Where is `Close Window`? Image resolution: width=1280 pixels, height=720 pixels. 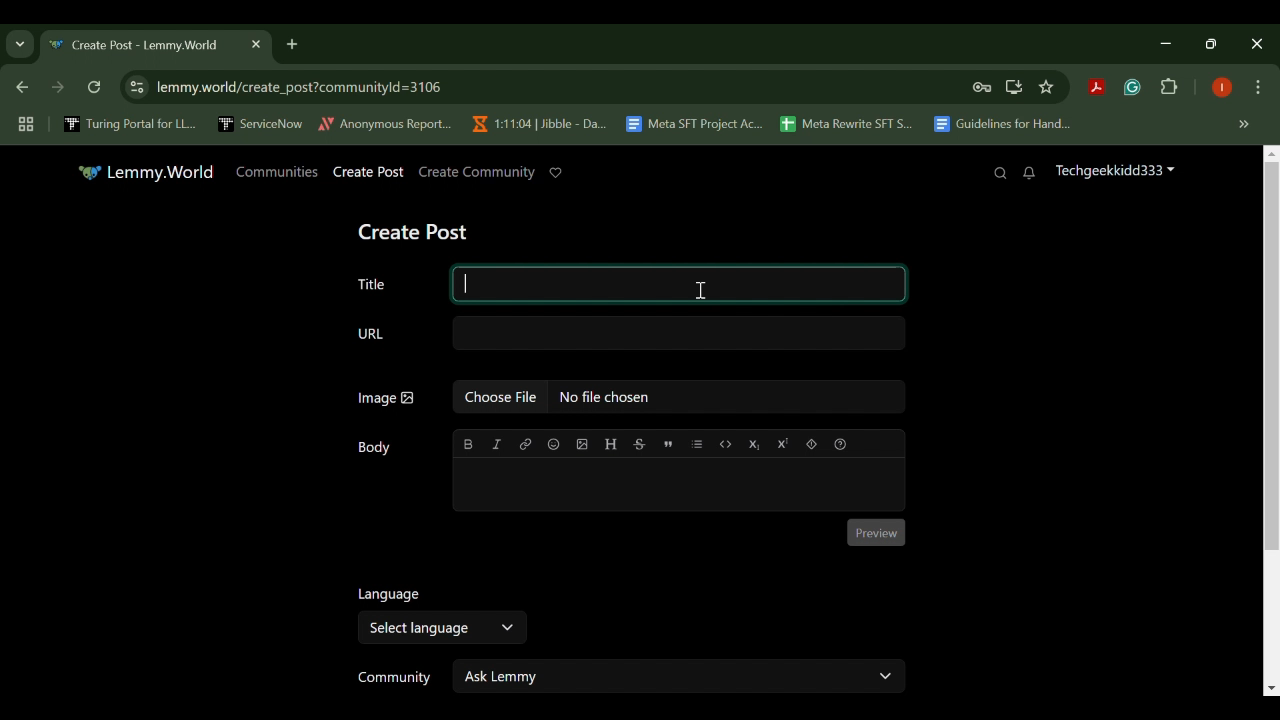 Close Window is located at coordinates (1258, 44).